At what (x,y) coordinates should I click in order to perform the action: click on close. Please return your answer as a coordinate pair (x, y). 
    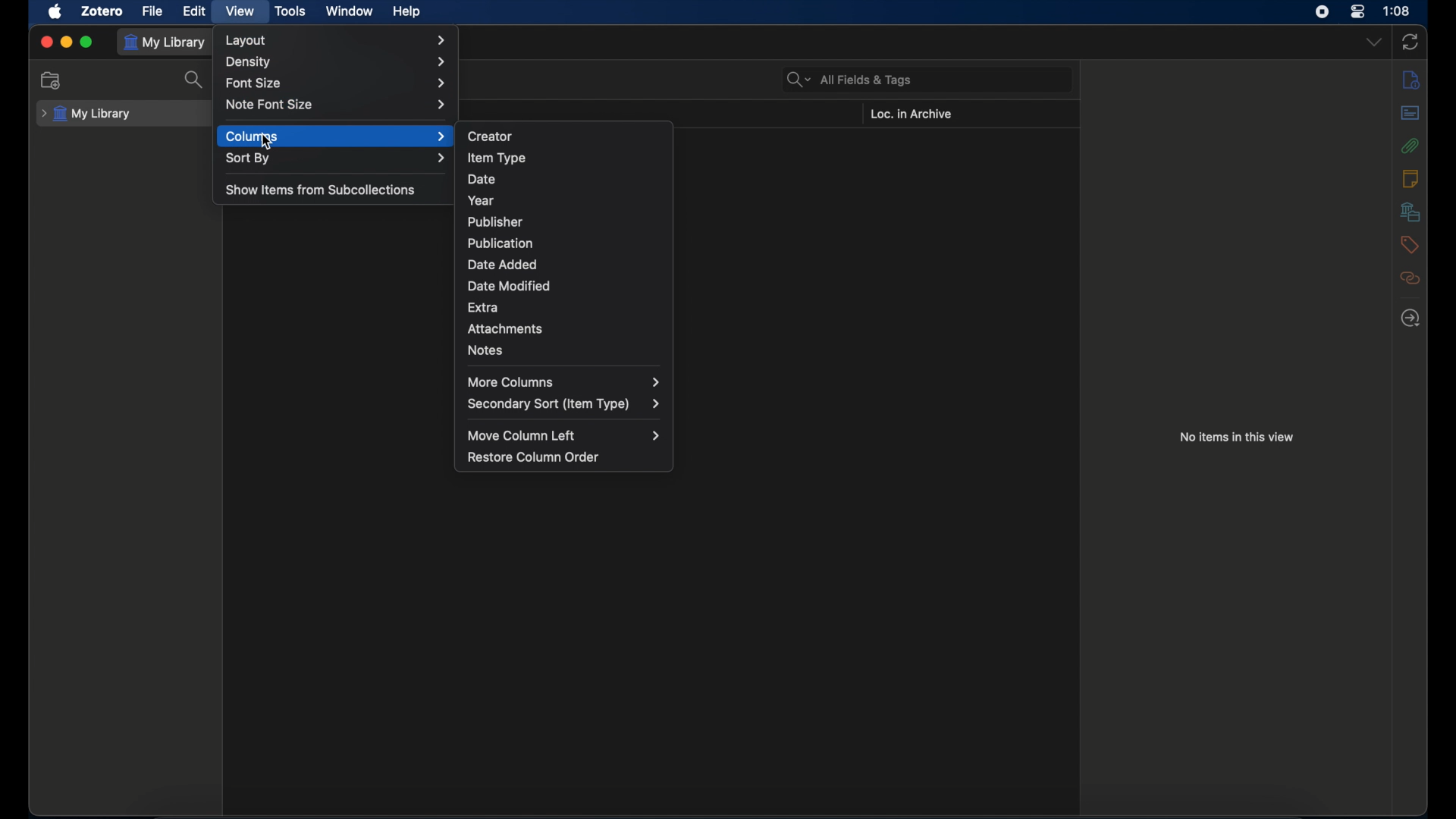
    Looking at the image, I should click on (45, 42).